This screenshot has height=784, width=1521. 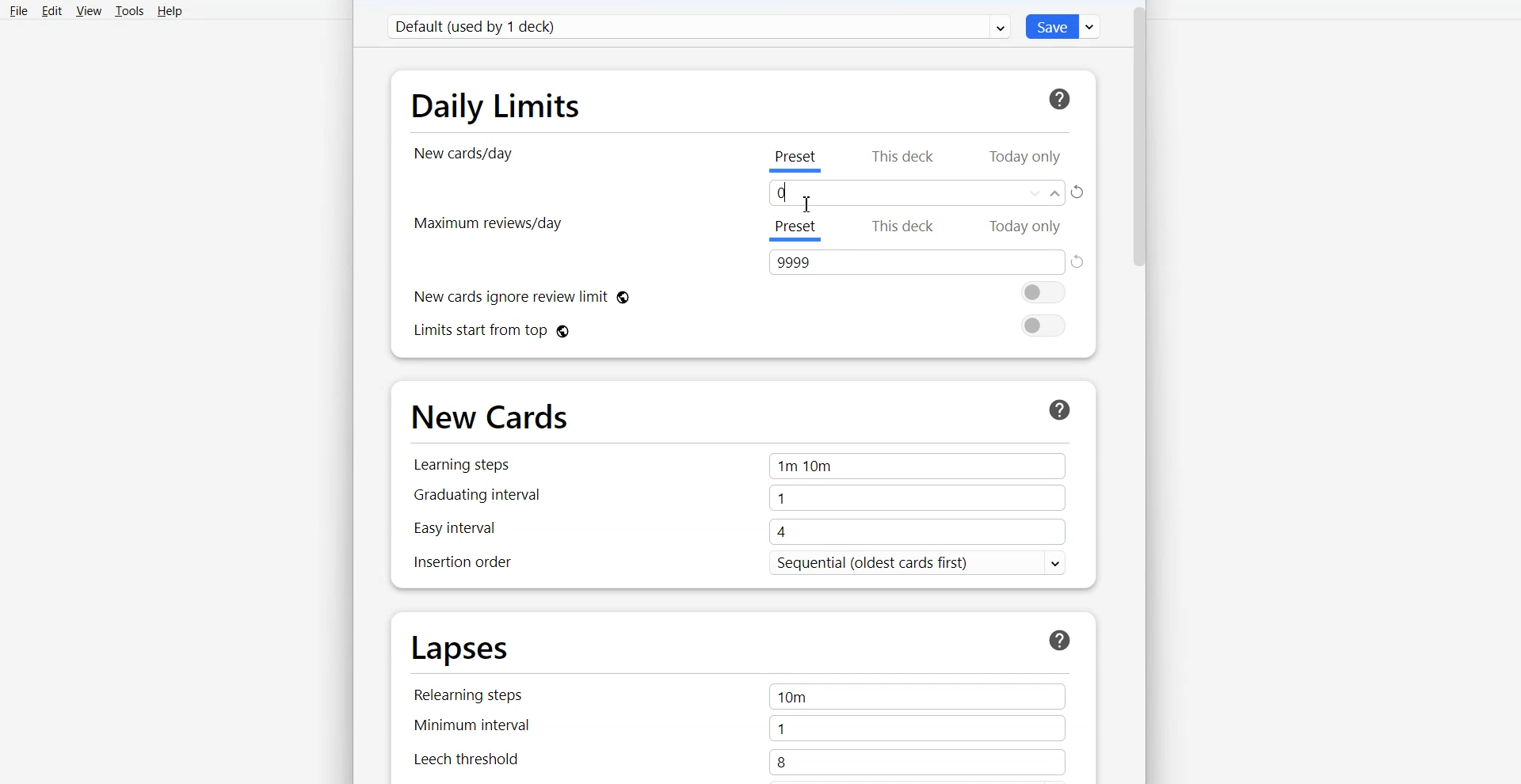 I want to click on Text, so click(x=916, y=193).